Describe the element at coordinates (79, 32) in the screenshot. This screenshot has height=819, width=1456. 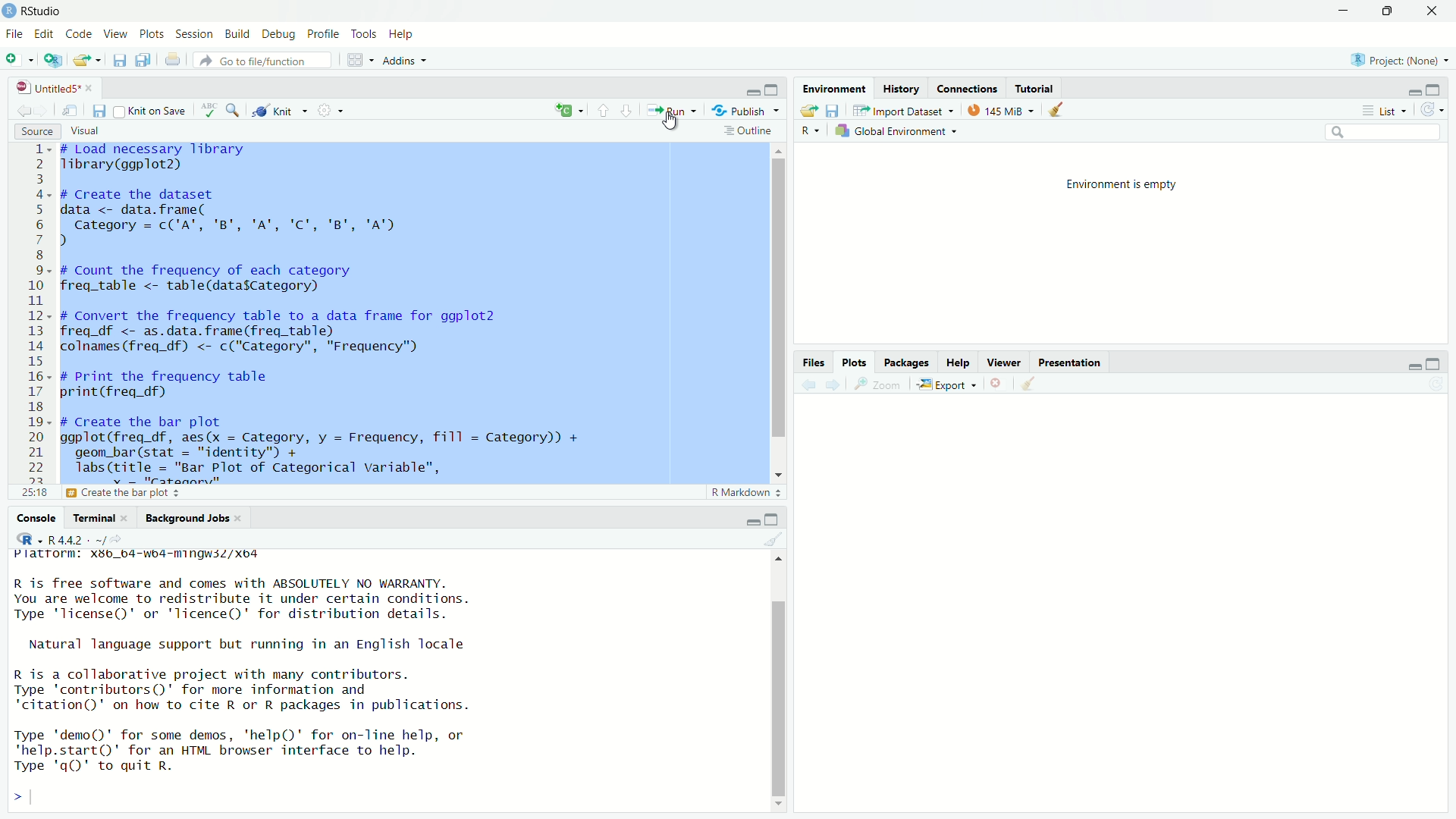
I see `code` at that location.